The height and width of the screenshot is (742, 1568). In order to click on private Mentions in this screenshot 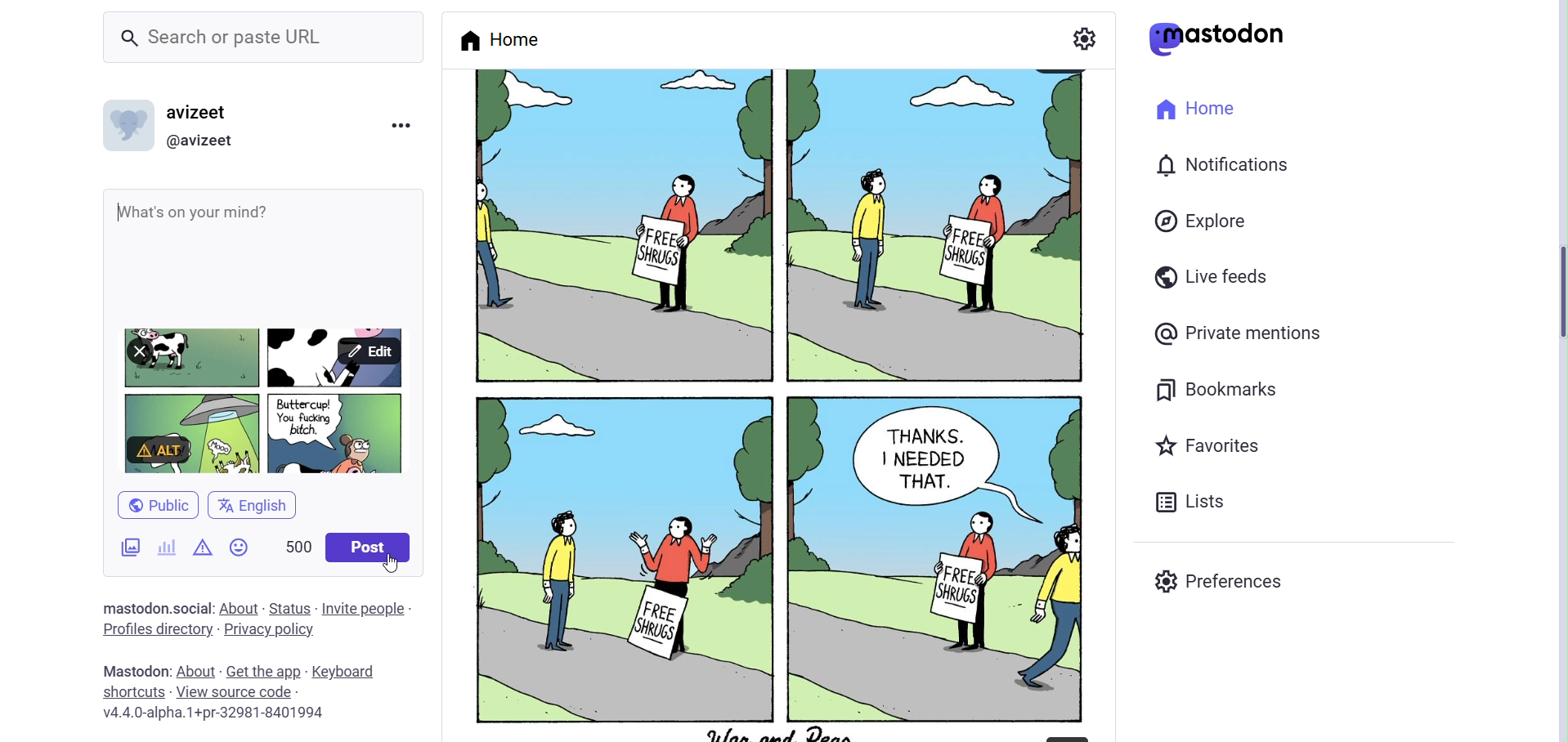, I will do `click(1238, 335)`.